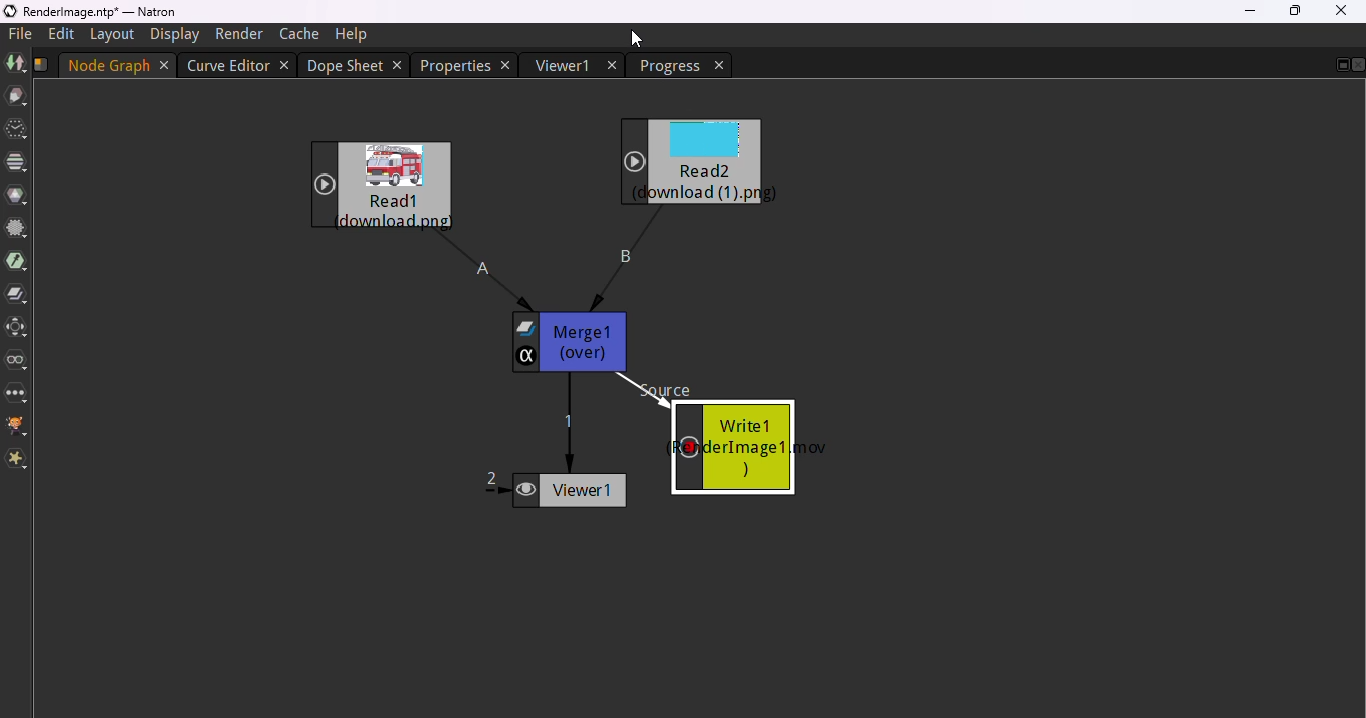 Image resolution: width=1366 pixels, height=718 pixels. I want to click on draw, so click(16, 96).